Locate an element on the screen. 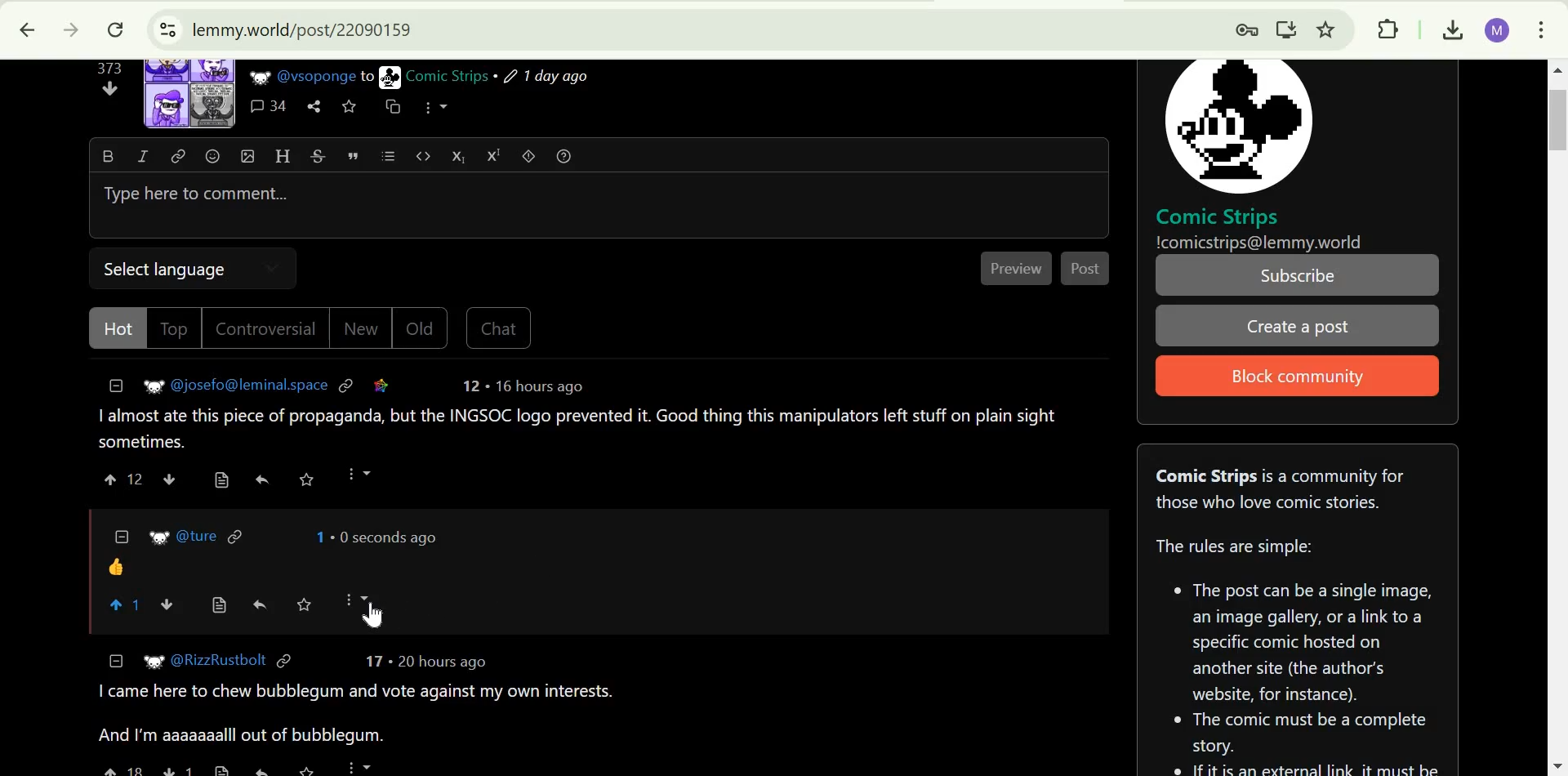 The width and height of the screenshot is (1568, 776). downvote is located at coordinates (178, 768).